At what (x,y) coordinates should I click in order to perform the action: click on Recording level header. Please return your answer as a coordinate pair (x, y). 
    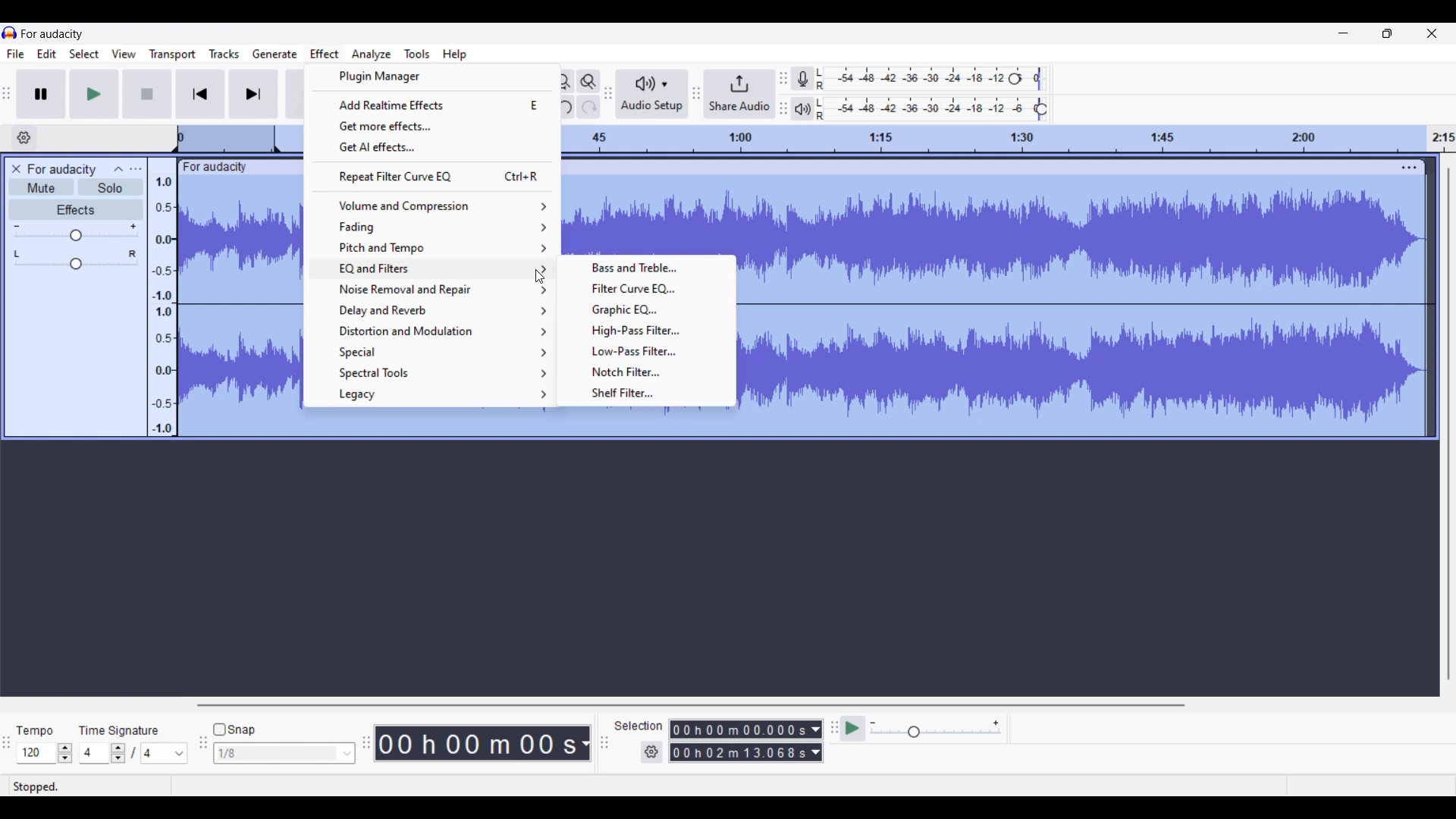
    Looking at the image, I should click on (1015, 79).